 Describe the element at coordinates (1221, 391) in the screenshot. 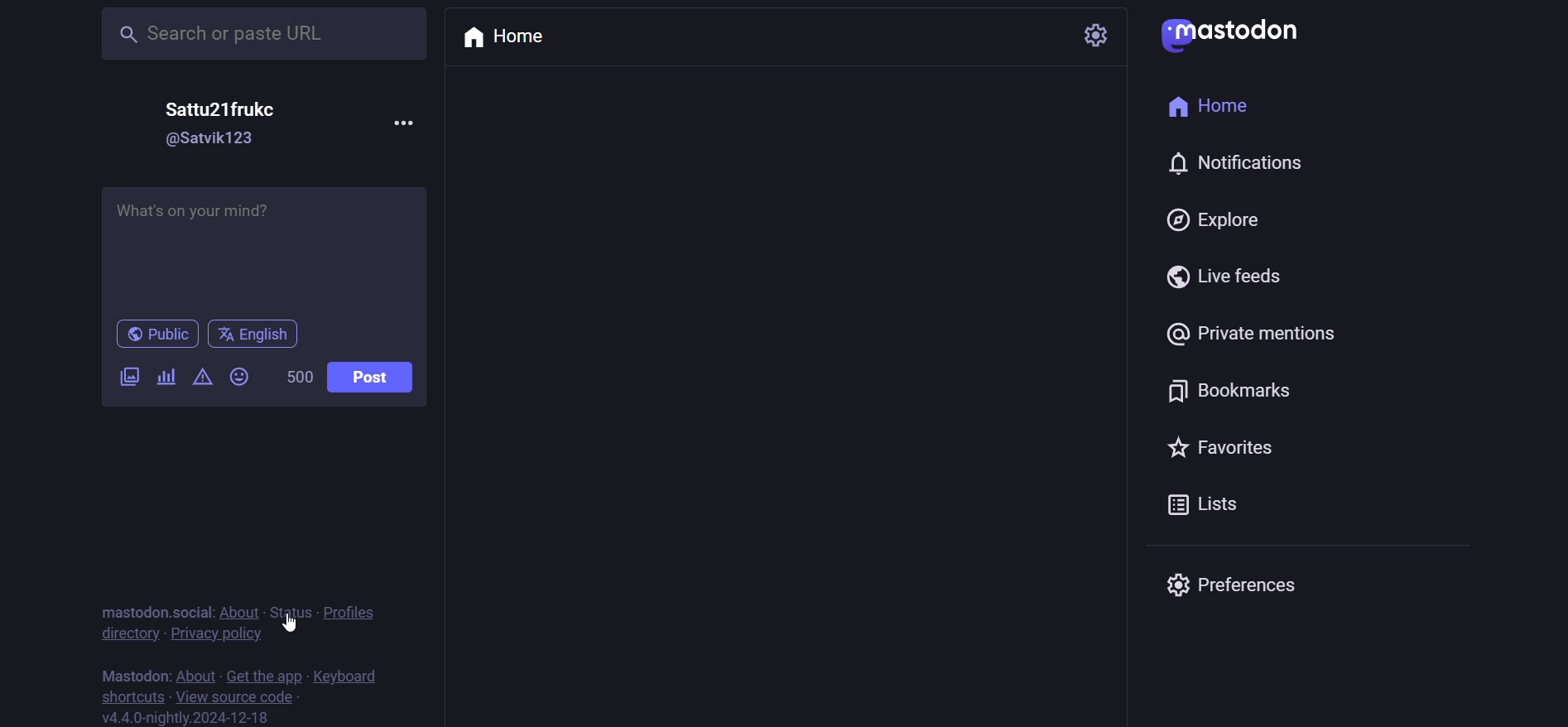

I see `bookmark` at that location.